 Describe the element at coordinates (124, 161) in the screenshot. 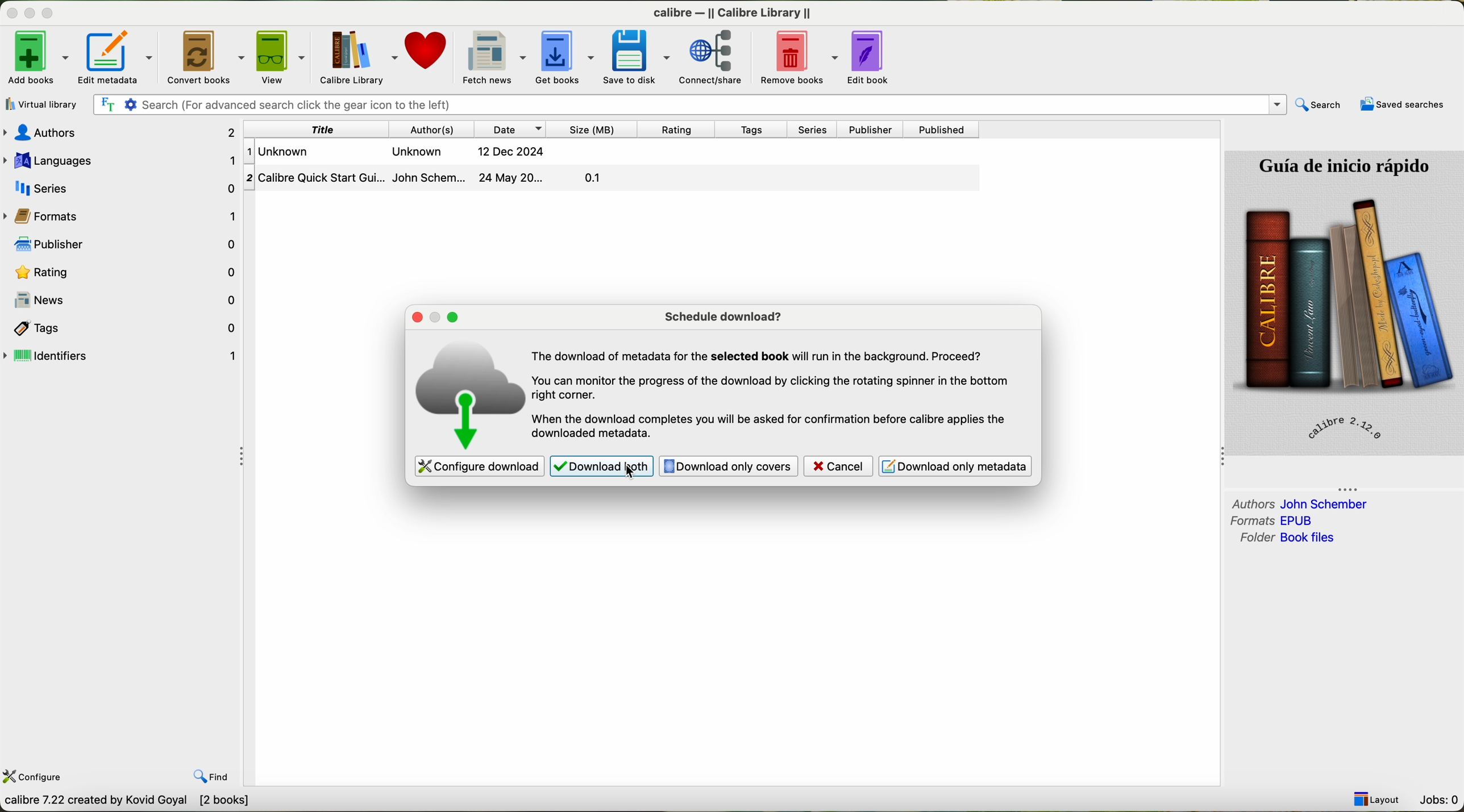

I see `Languages` at that location.